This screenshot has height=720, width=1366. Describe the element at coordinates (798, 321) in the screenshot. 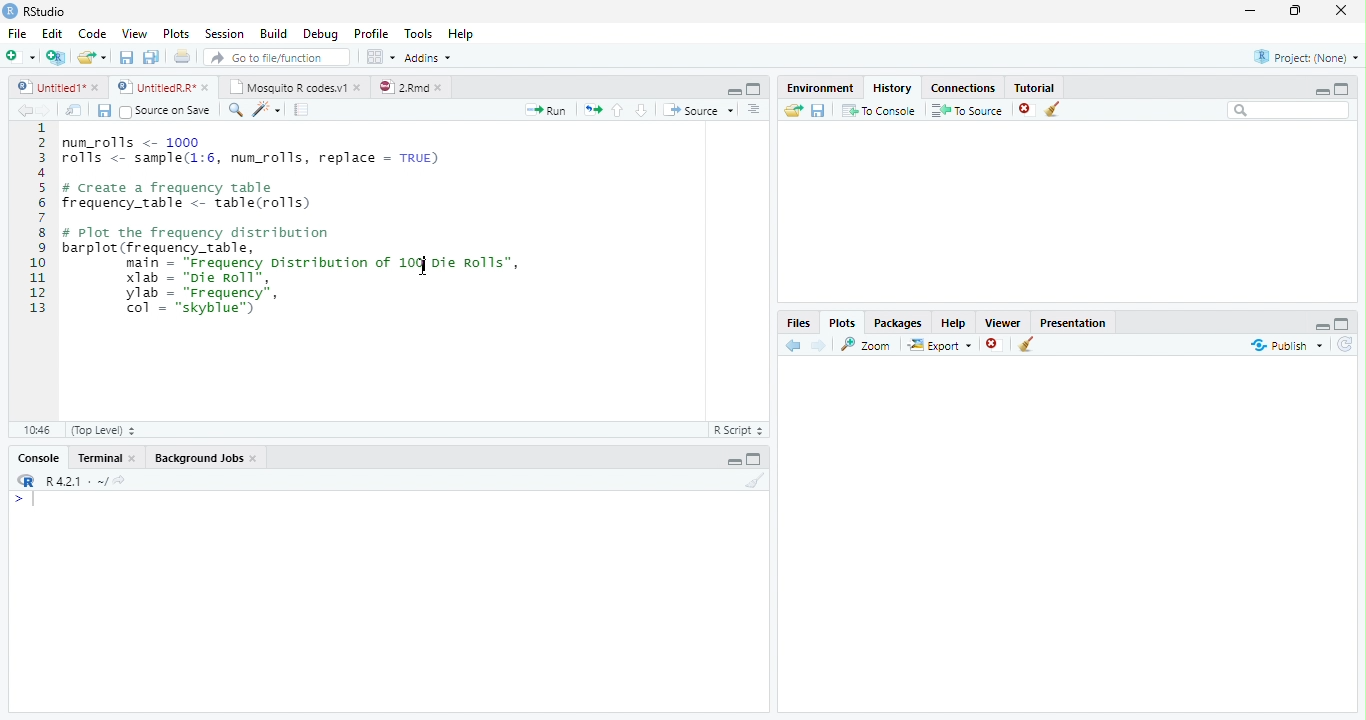

I see `Files` at that location.